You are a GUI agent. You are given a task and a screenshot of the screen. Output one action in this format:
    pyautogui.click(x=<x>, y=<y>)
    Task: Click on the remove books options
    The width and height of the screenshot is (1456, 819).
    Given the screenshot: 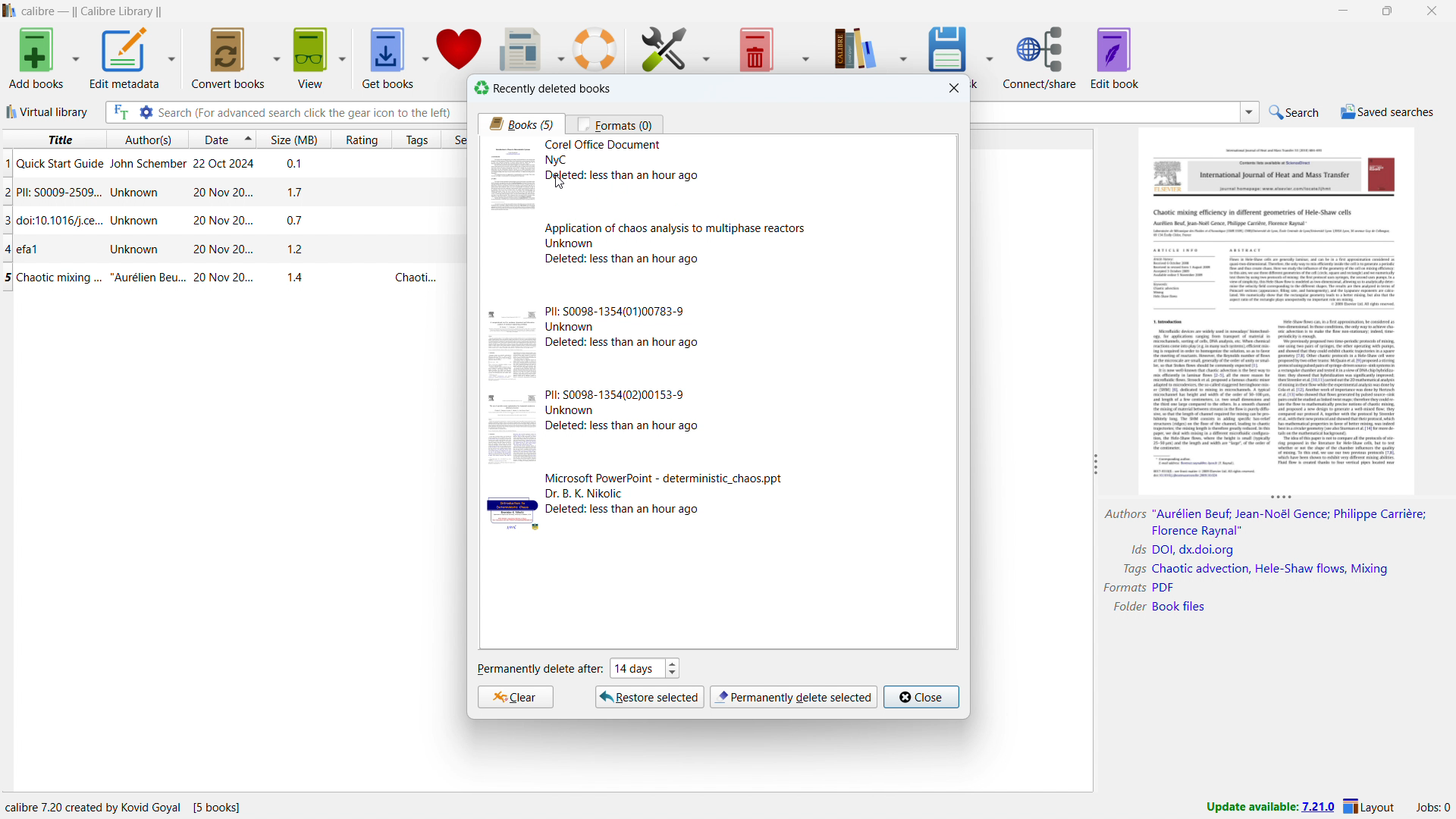 What is the action you would take?
    pyautogui.click(x=804, y=45)
    